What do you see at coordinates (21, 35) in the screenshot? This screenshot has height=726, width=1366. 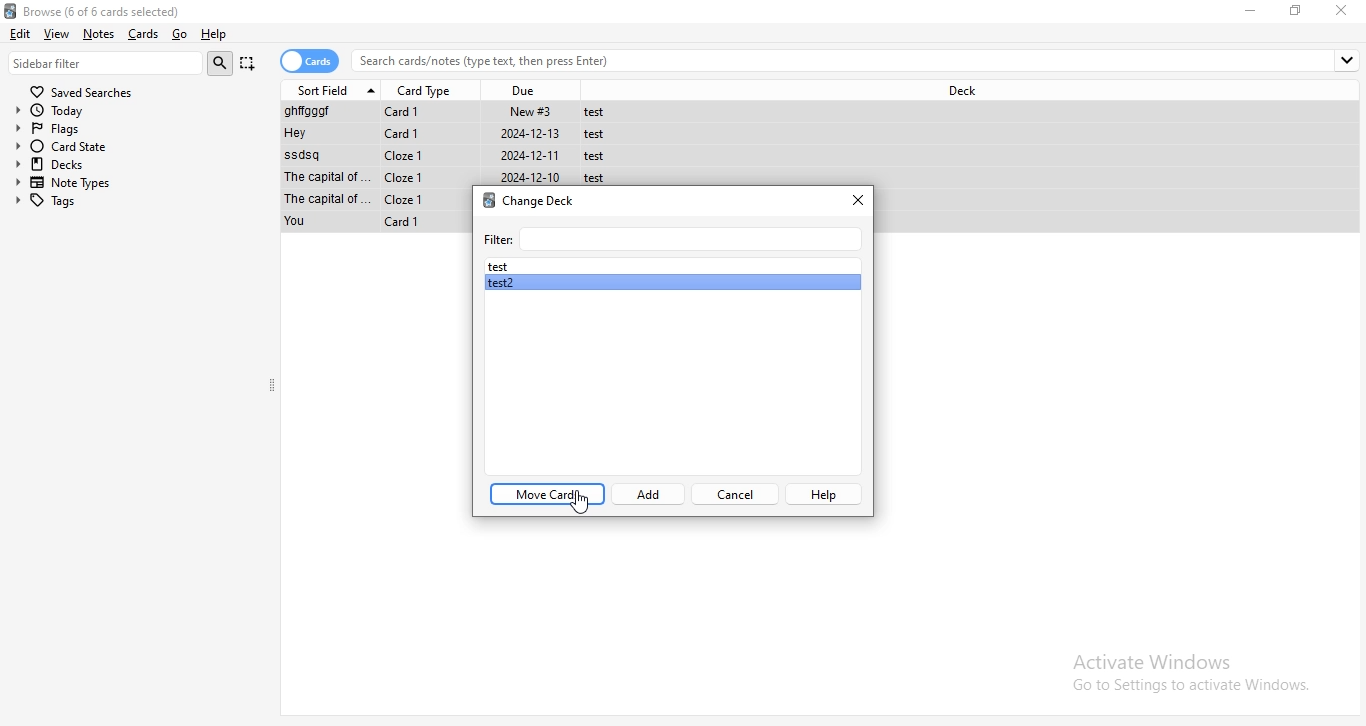 I see `edit` at bounding box center [21, 35].